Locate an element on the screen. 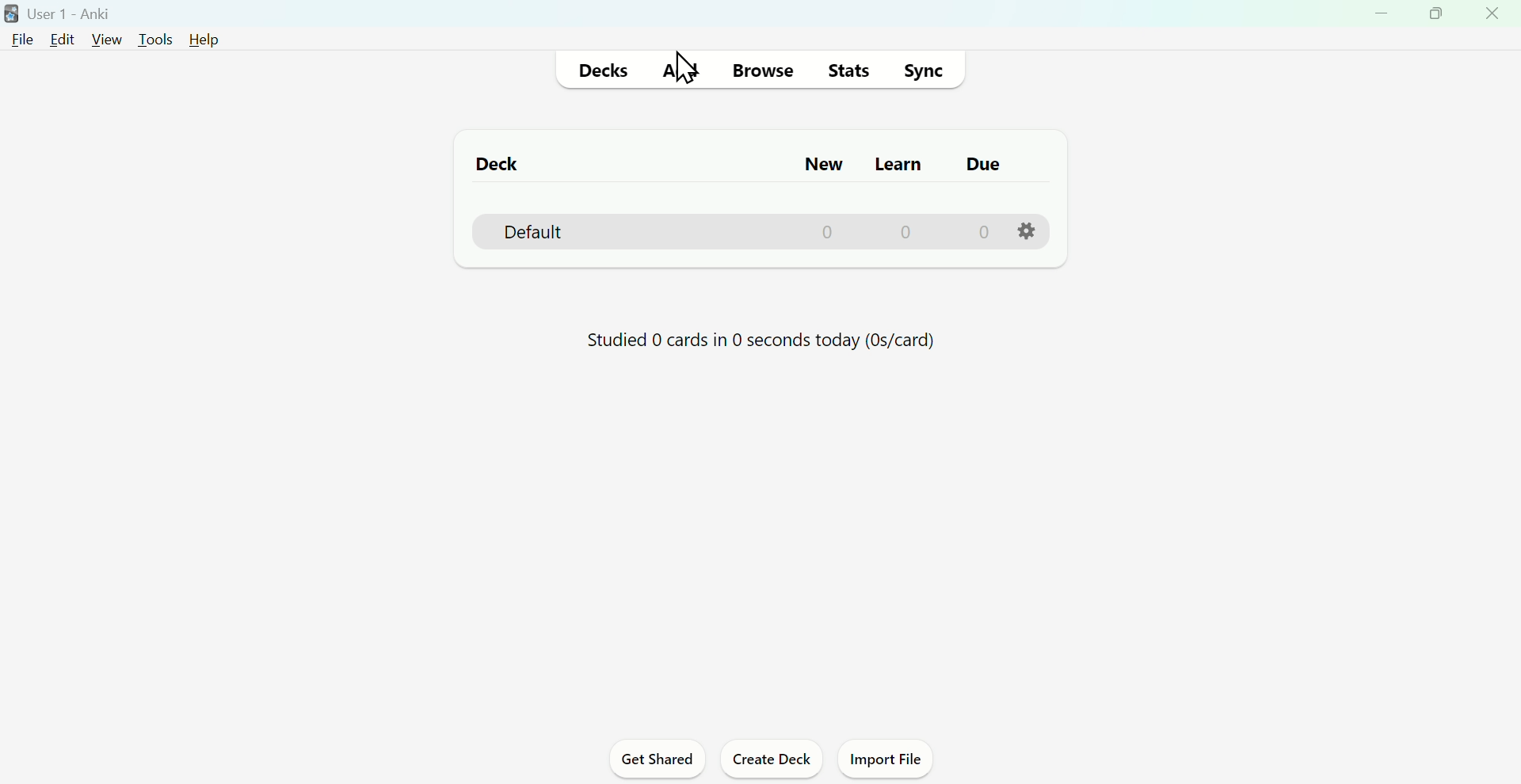  Deck is located at coordinates (490, 164).